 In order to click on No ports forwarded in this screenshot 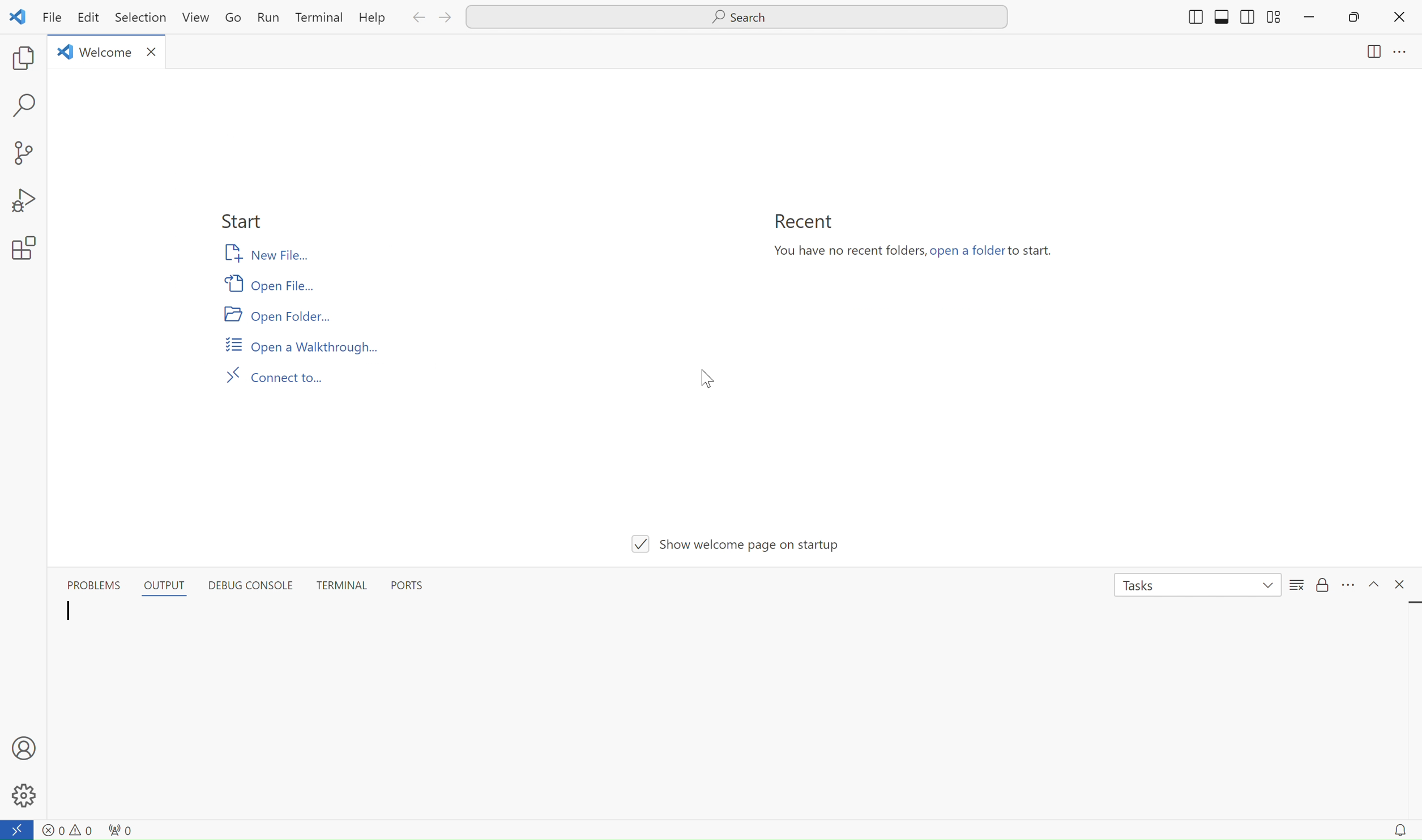, I will do `click(121, 829)`.